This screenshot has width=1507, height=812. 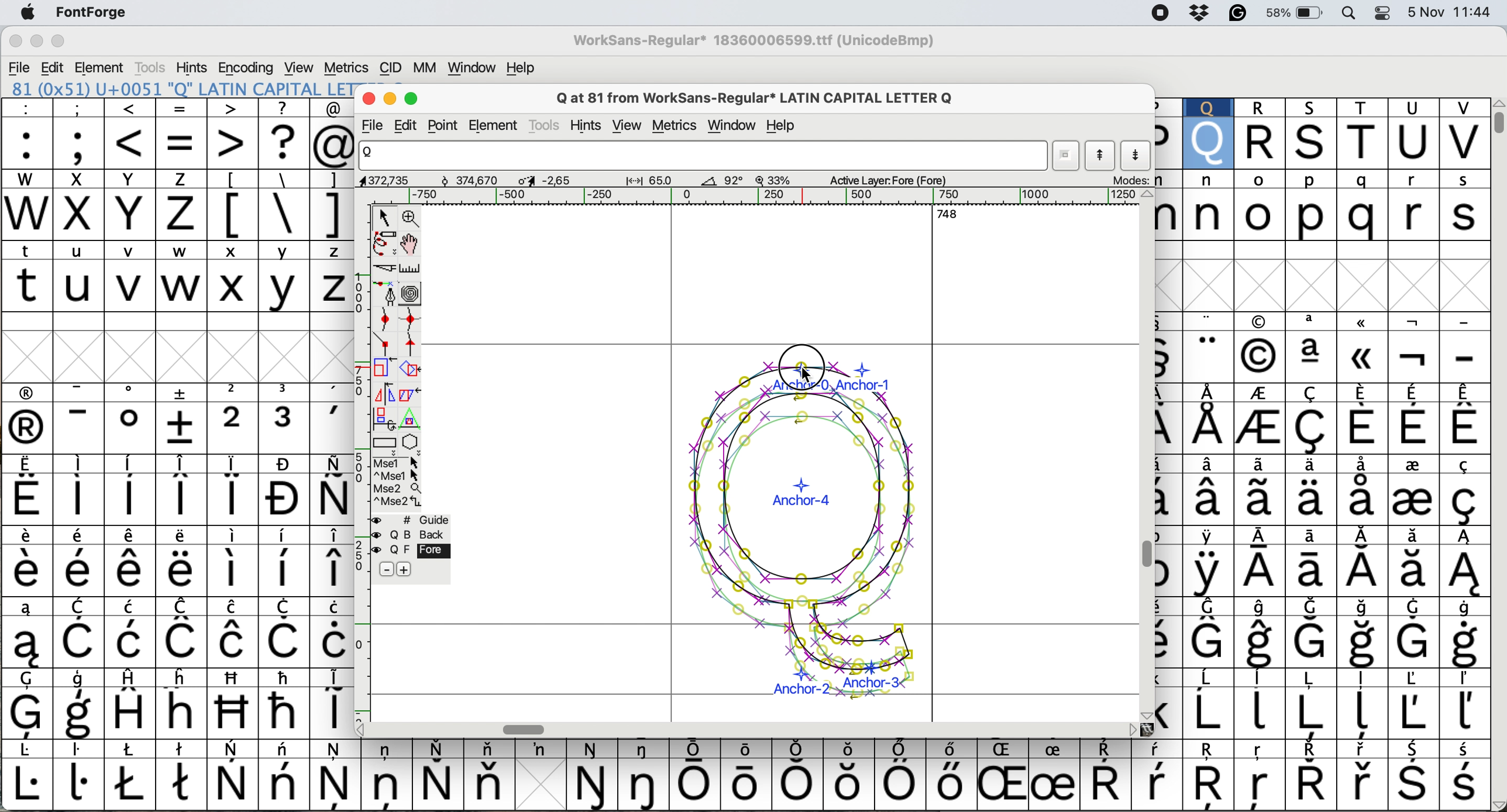 I want to click on change whether spiro is active or not, so click(x=413, y=295).